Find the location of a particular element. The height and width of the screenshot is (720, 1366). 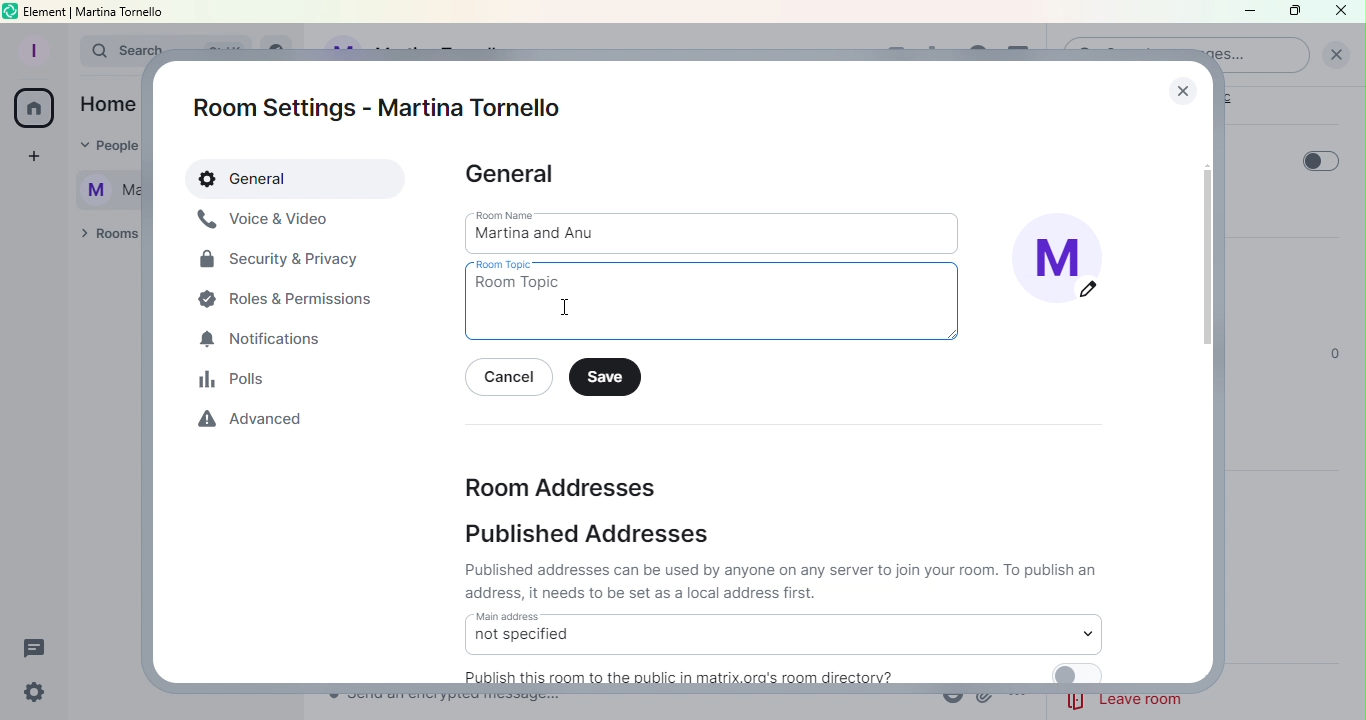

Room name is located at coordinates (715, 232).